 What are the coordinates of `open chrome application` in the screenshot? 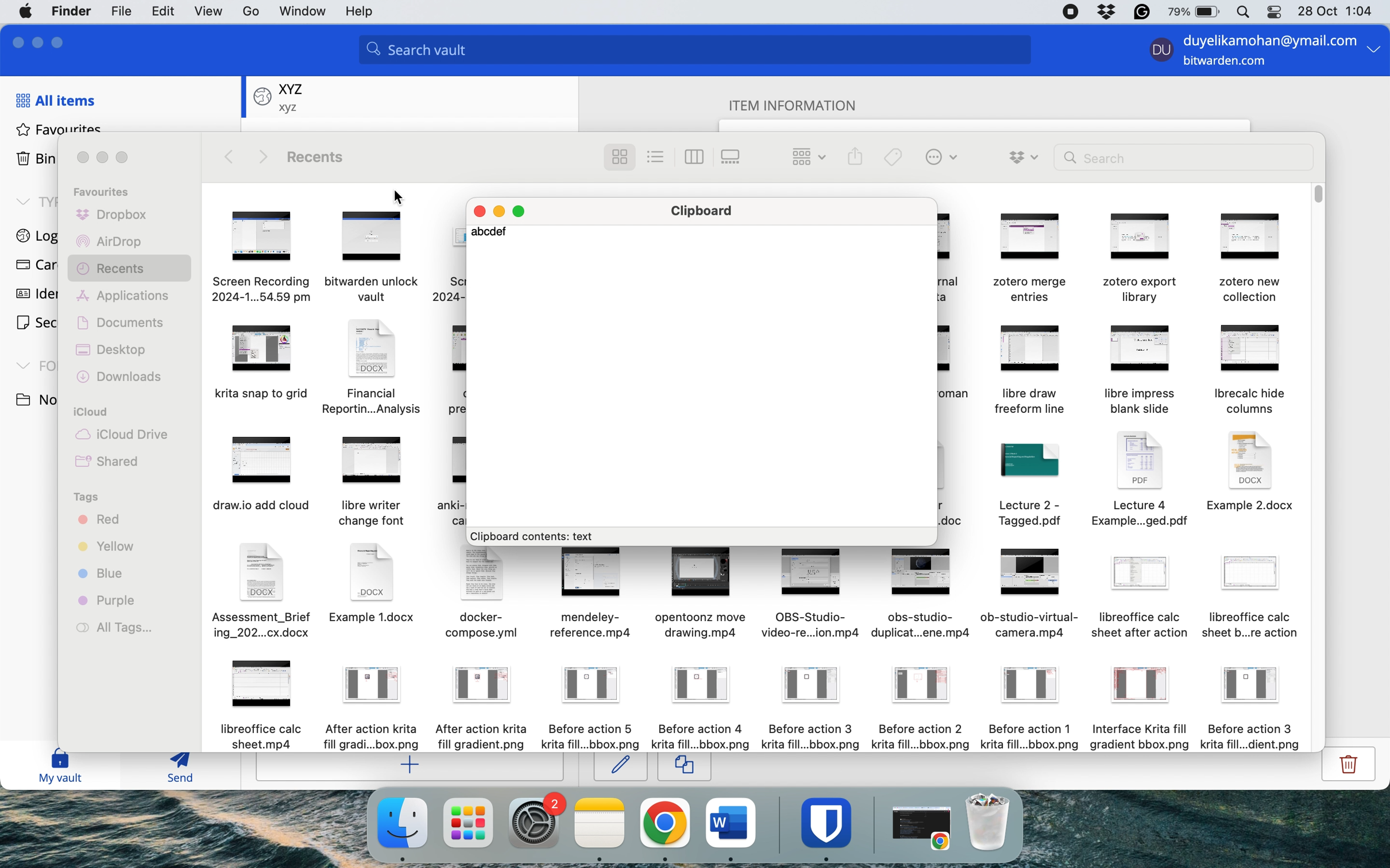 It's located at (925, 828).